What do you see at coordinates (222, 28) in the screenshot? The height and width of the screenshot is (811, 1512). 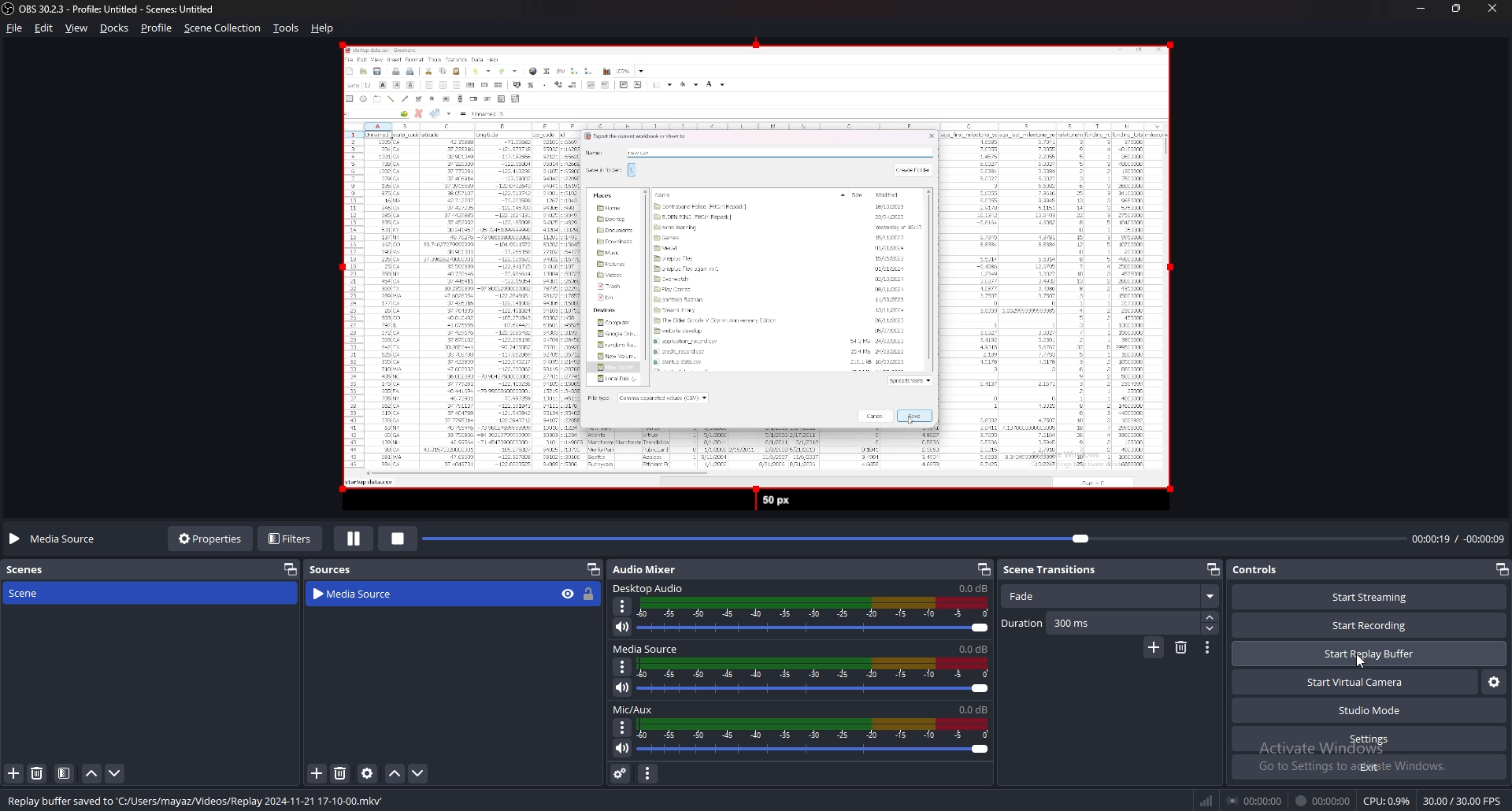 I see `scene collection` at bounding box center [222, 28].